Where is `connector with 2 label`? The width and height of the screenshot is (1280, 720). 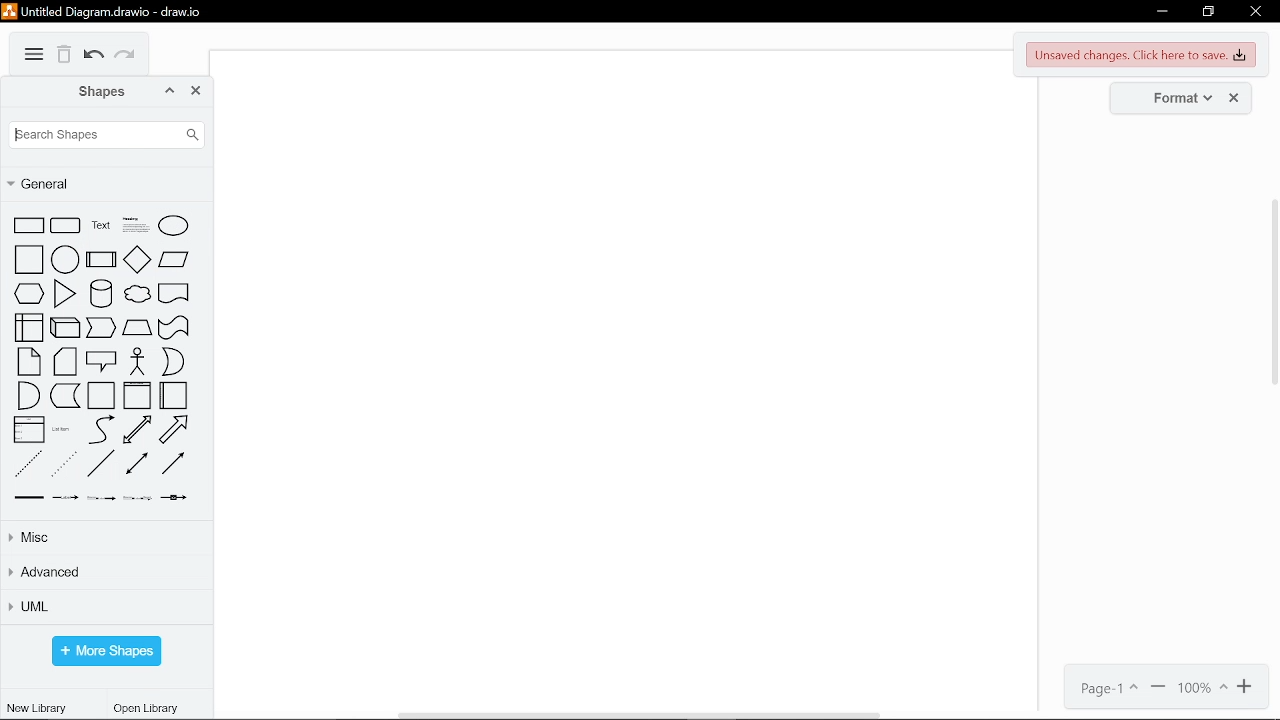 connector with 2 label is located at coordinates (99, 498).